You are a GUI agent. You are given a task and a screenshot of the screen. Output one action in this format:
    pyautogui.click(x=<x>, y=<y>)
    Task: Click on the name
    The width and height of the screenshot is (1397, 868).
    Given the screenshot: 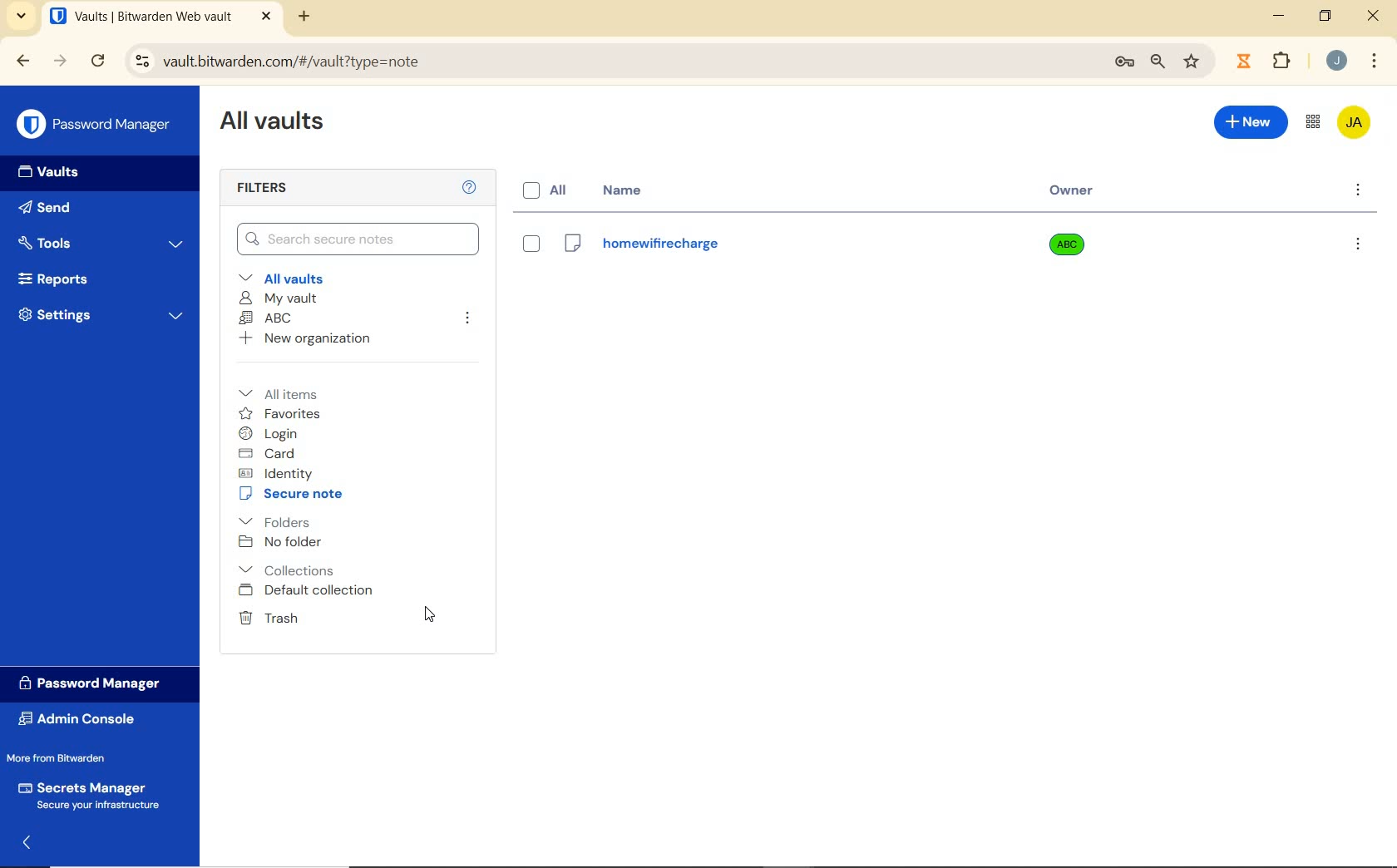 What is the action you would take?
    pyautogui.click(x=628, y=190)
    